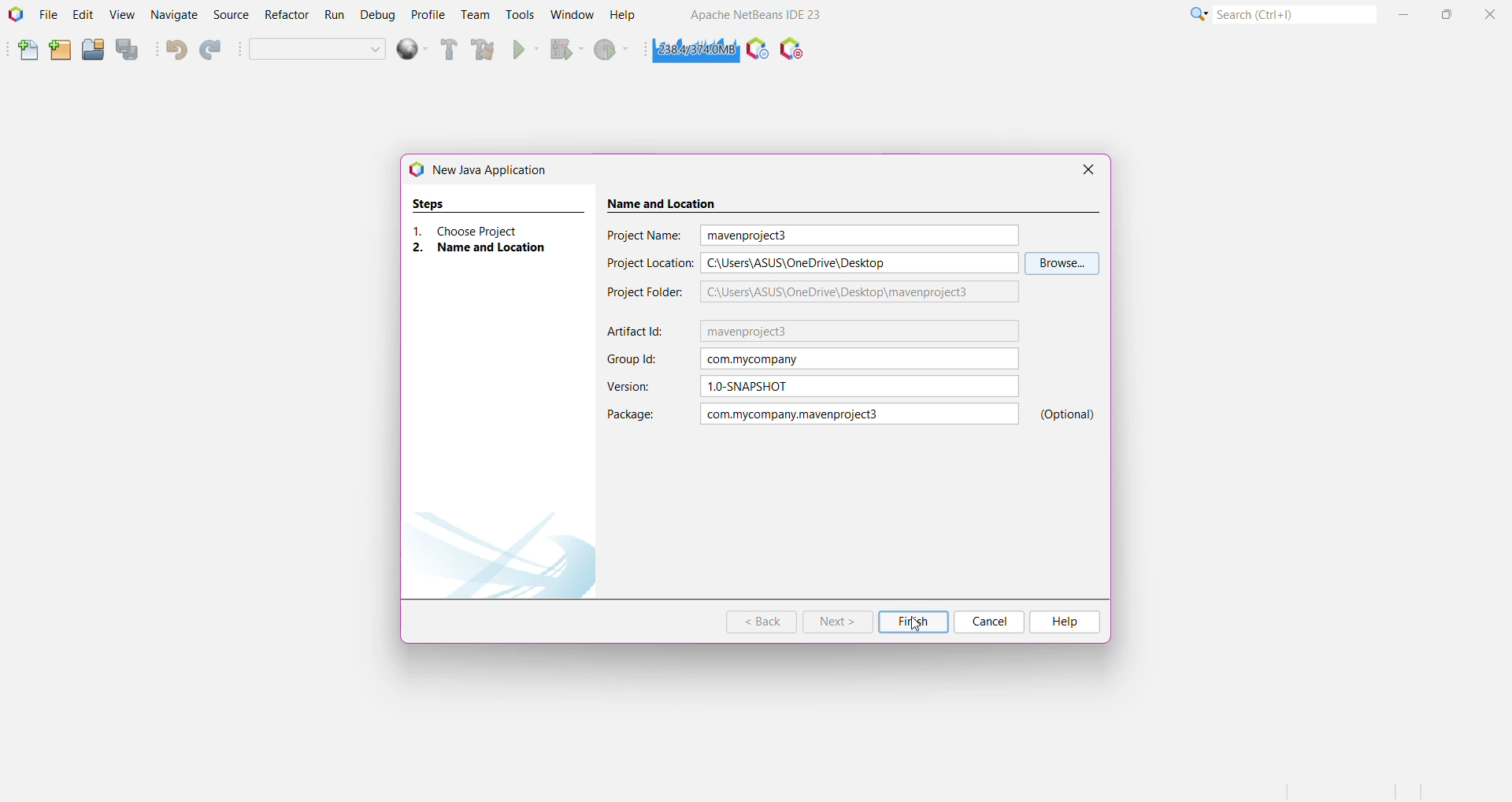 Image resolution: width=1512 pixels, height=802 pixels. What do you see at coordinates (762, 622) in the screenshot?
I see `Back` at bounding box center [762, 622].